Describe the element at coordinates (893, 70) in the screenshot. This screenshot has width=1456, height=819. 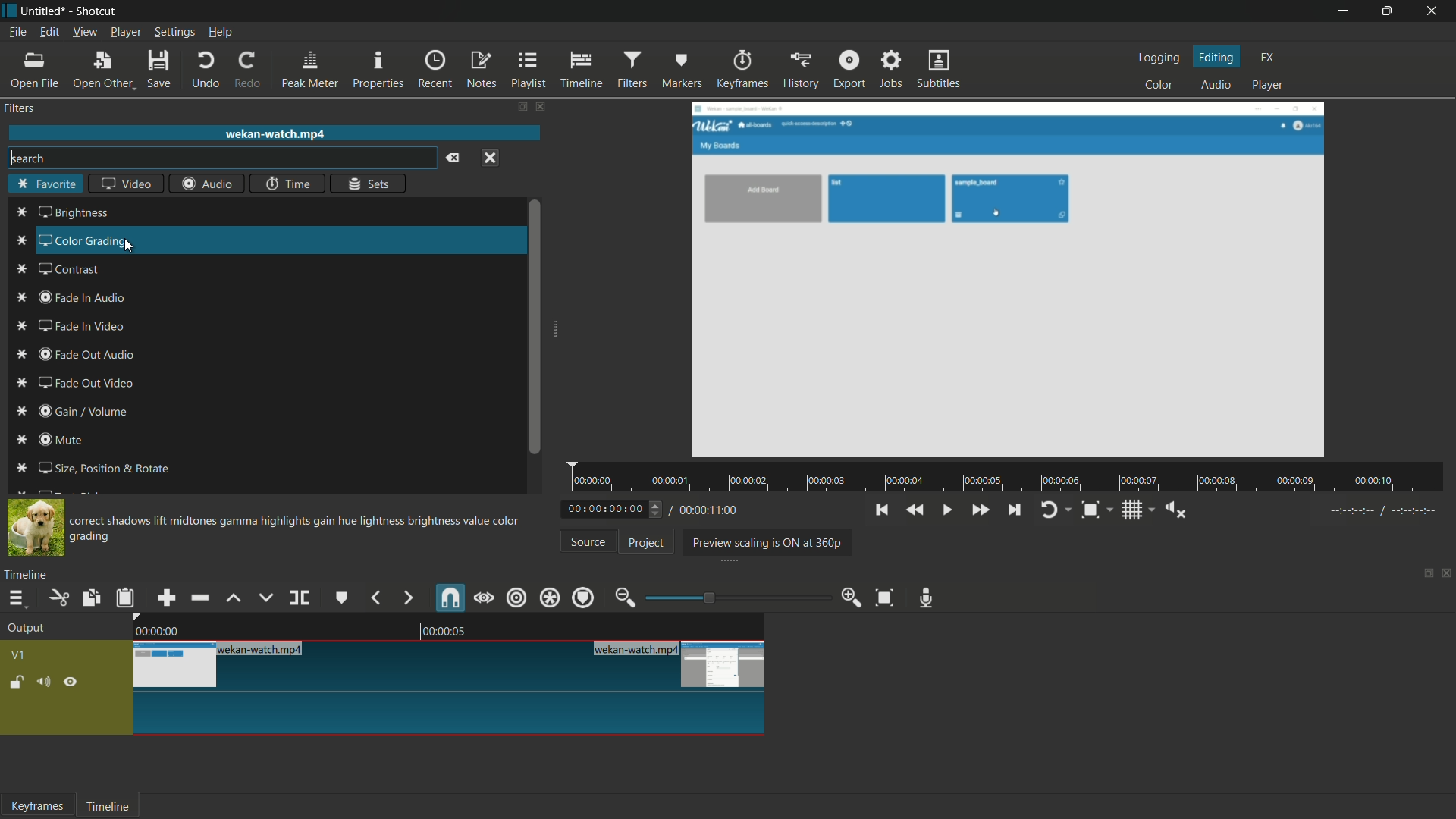
I see `jobs` at that location.